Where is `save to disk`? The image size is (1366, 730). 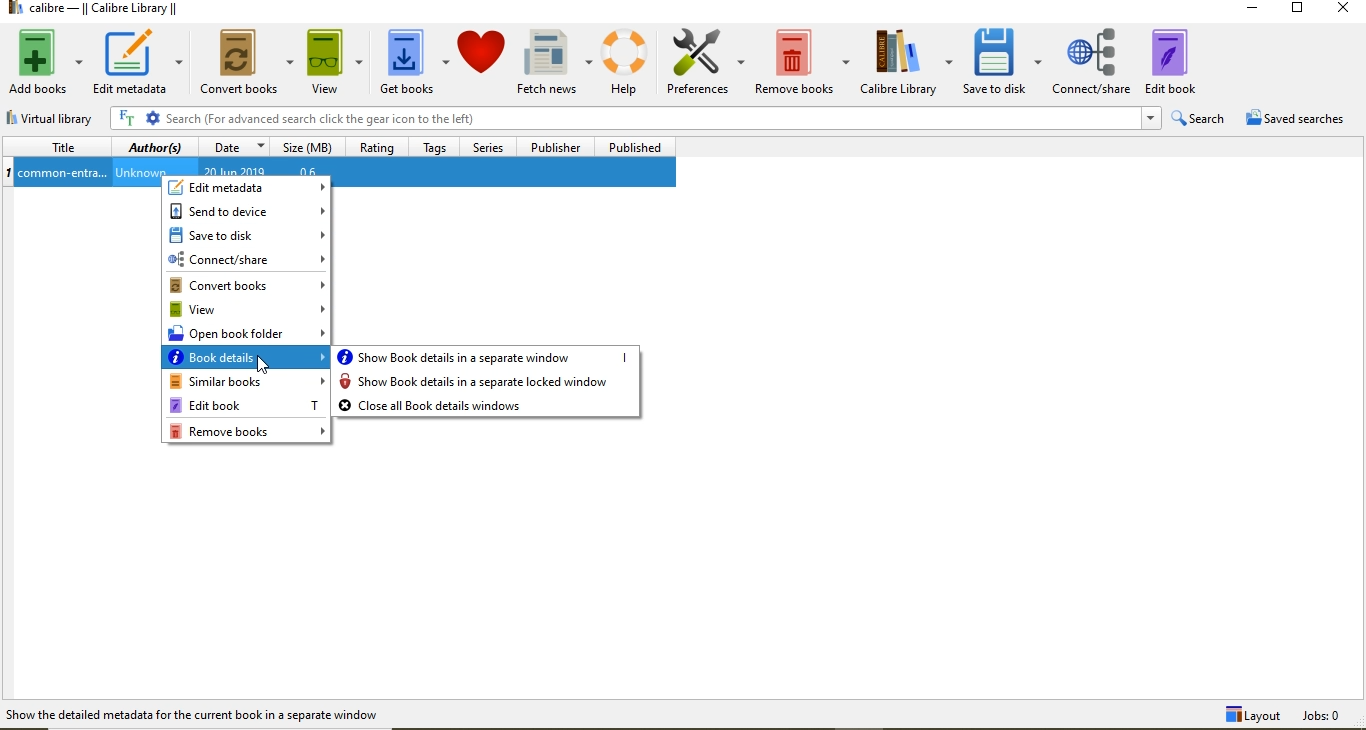
save to disk is located at coordinates (247, 234).